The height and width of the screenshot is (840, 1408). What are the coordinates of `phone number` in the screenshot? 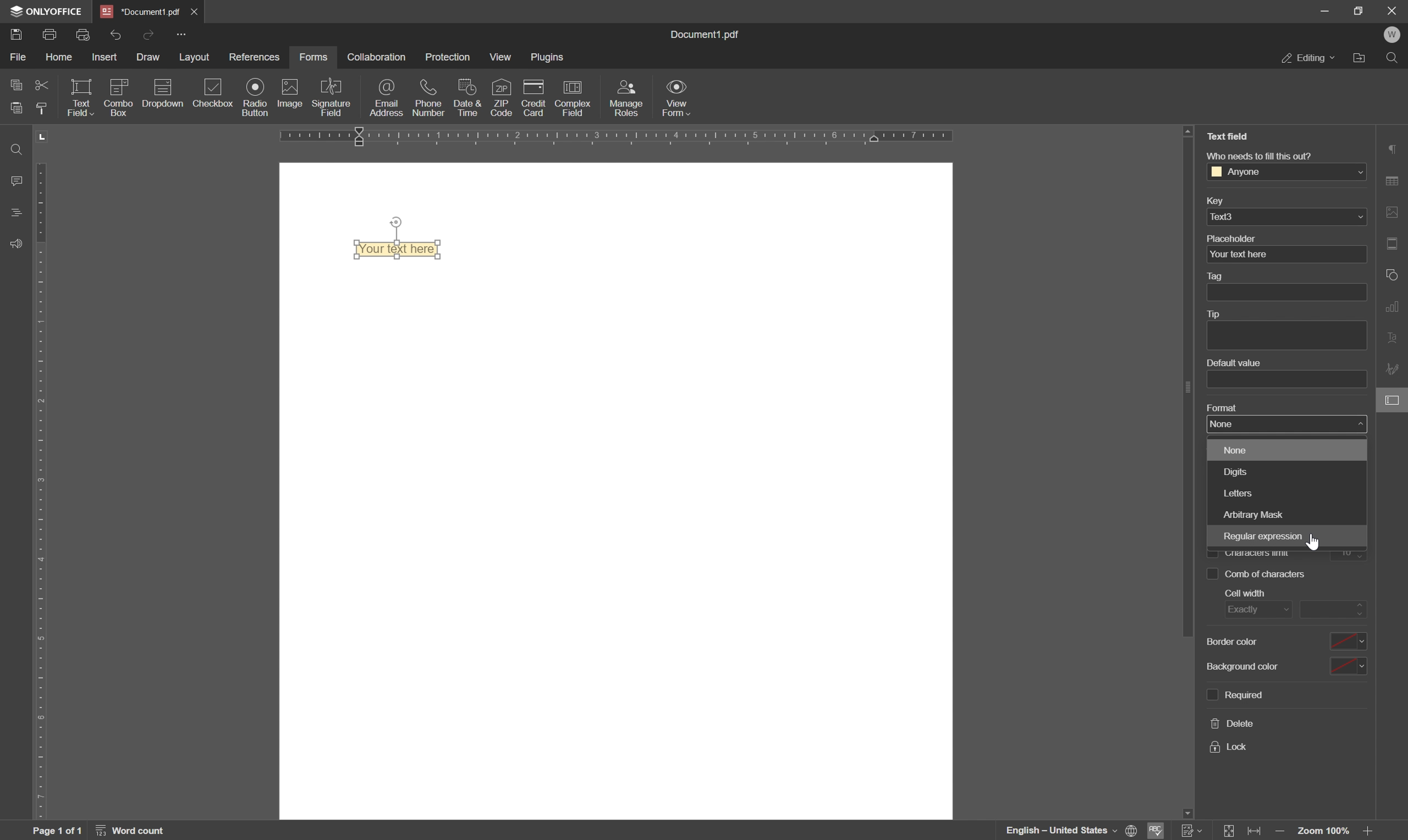 It's located at (430, 97).